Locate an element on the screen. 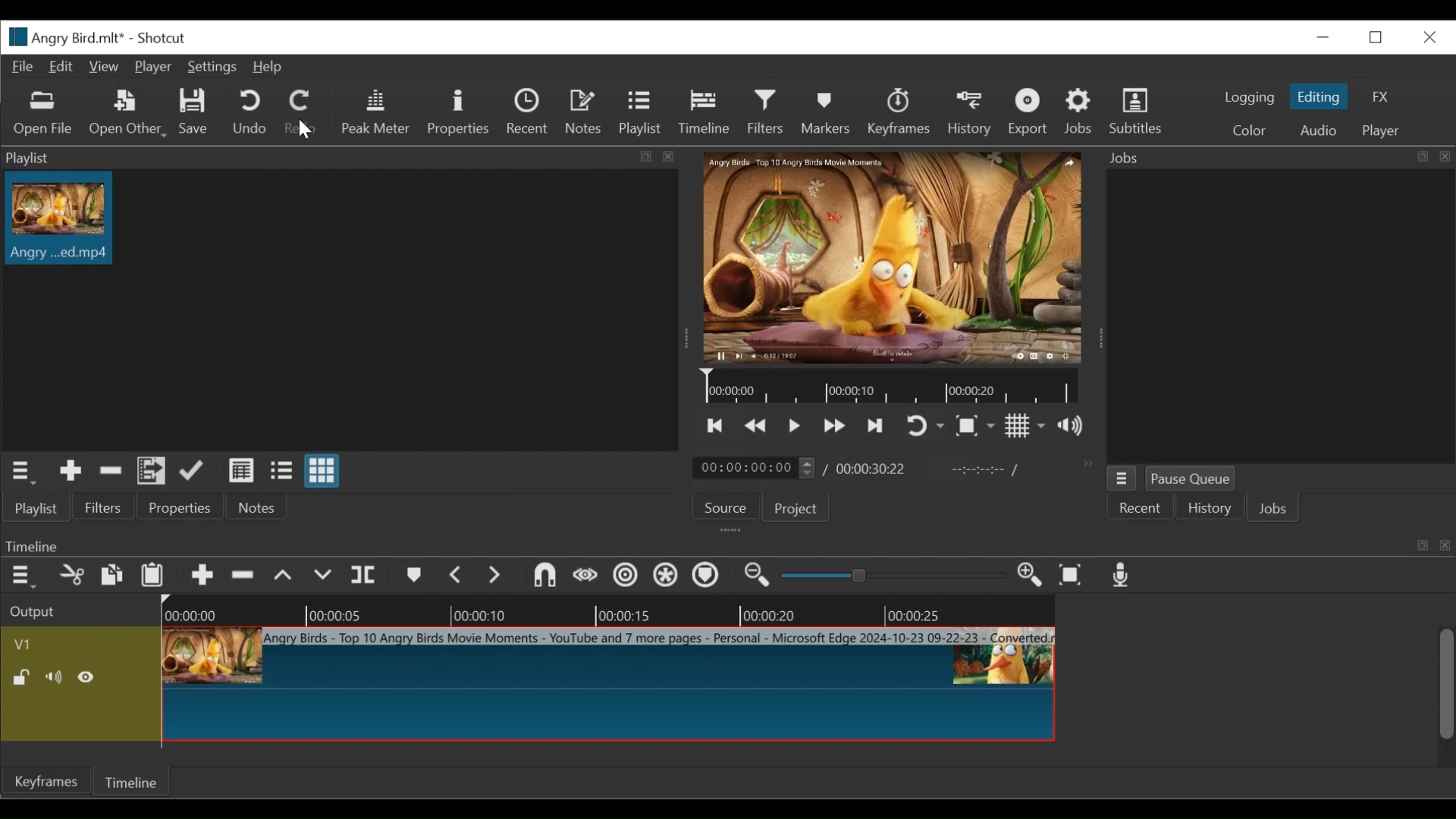 The height and width of the screenshot is (819, 1456). lift is located at coordinates (283, 576).